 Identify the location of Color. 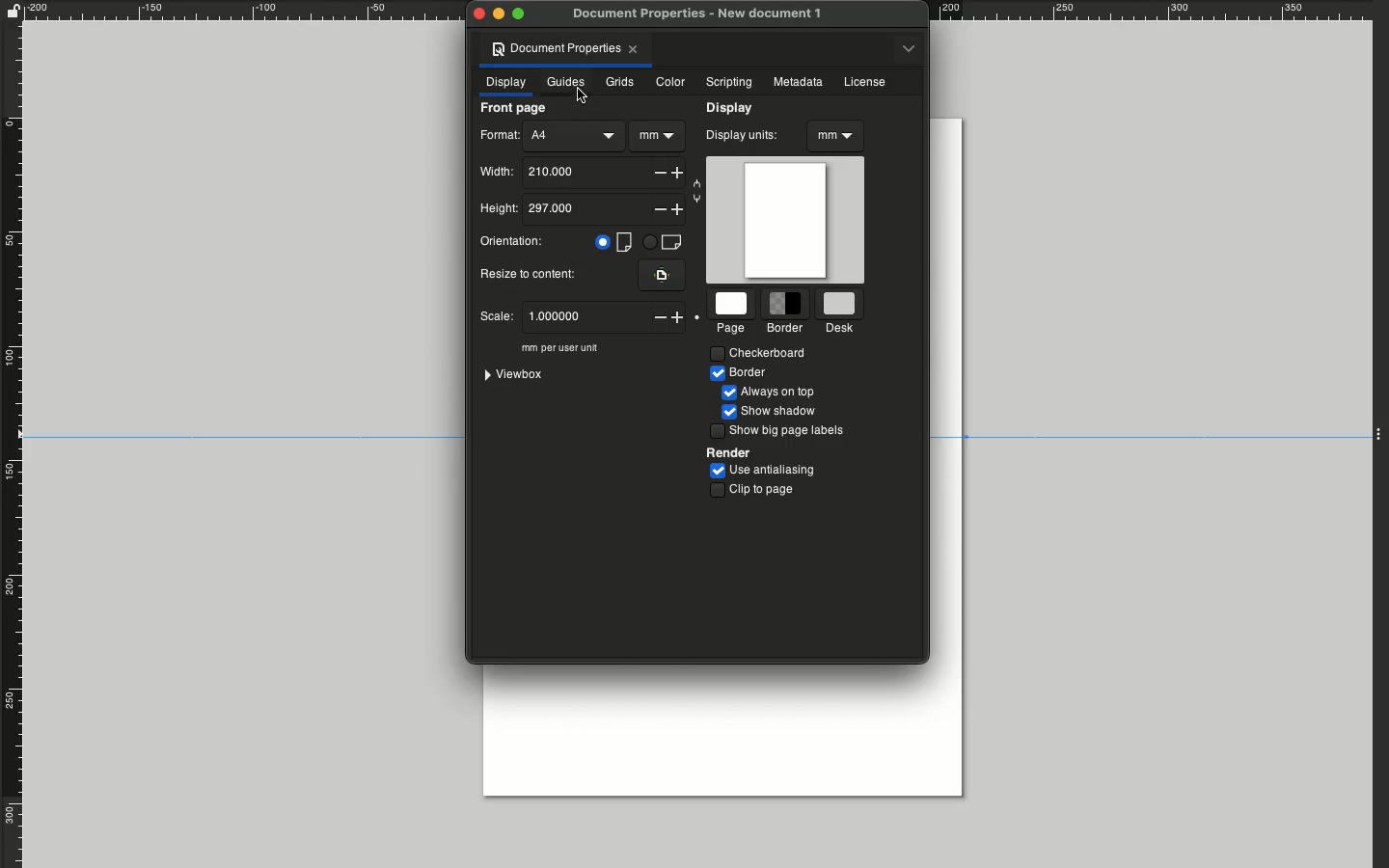
(671, 81).